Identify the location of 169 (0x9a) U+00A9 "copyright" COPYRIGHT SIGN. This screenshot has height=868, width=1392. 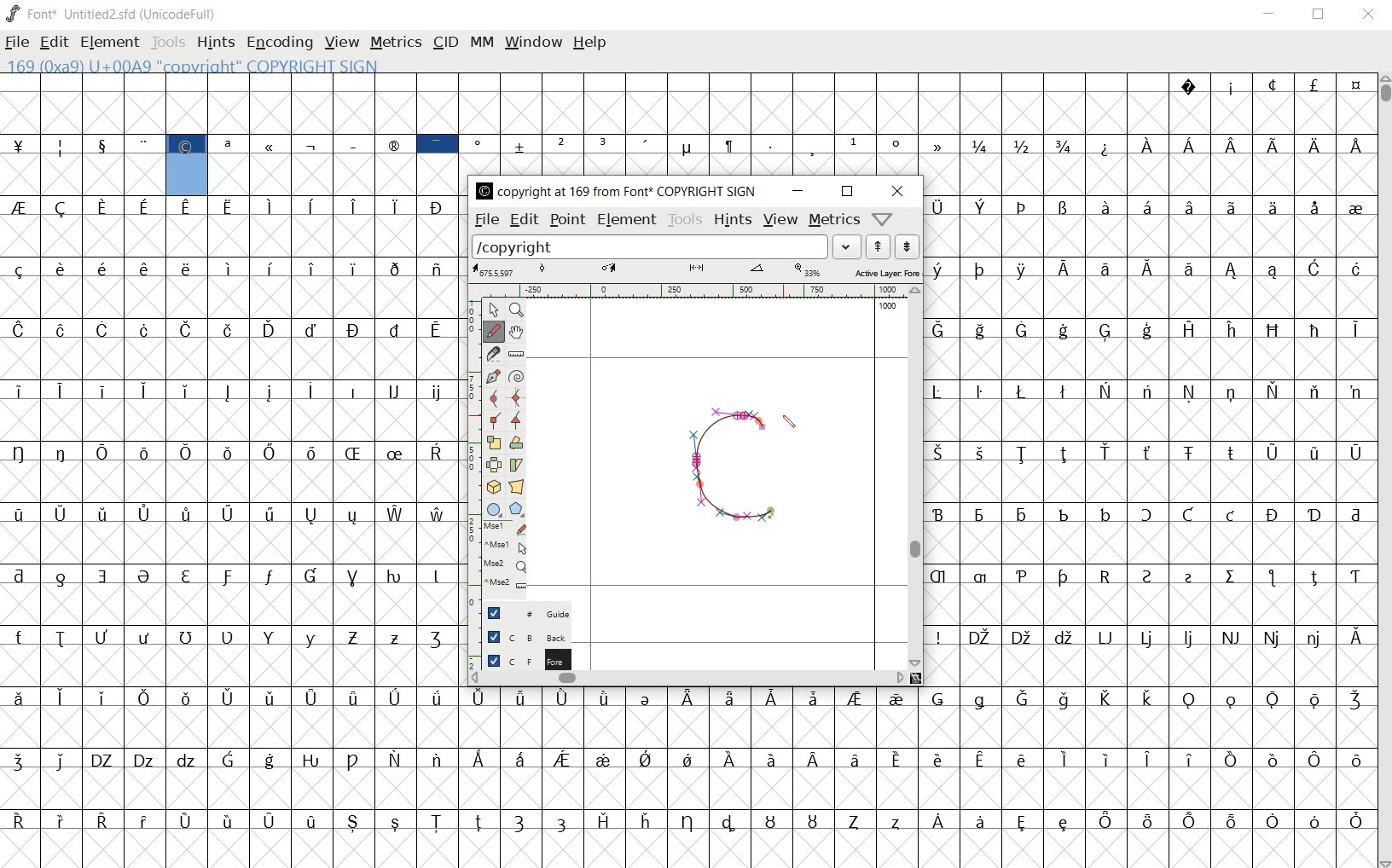
(188, 163).